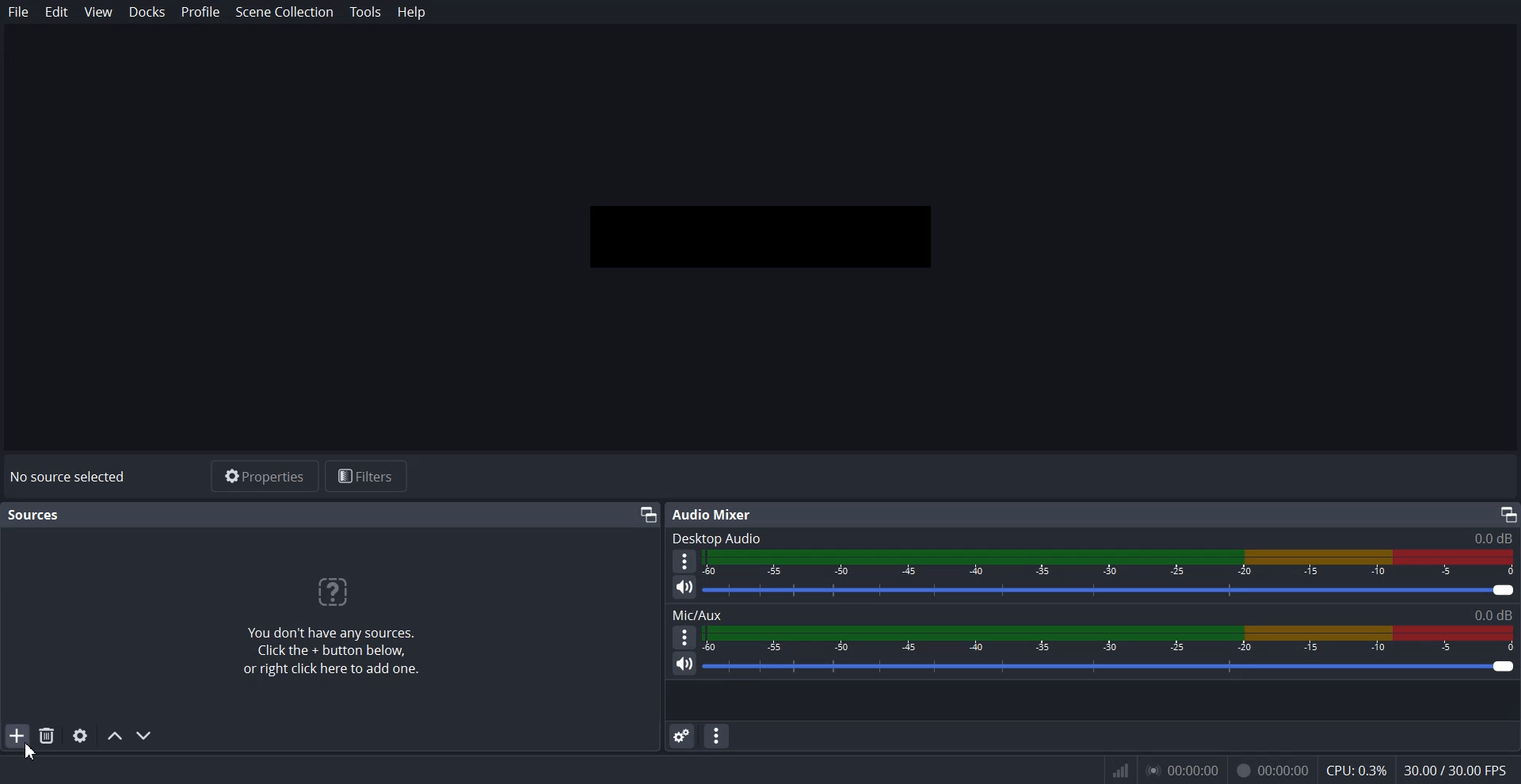  I want to click on Preview window, so click(760, 234).